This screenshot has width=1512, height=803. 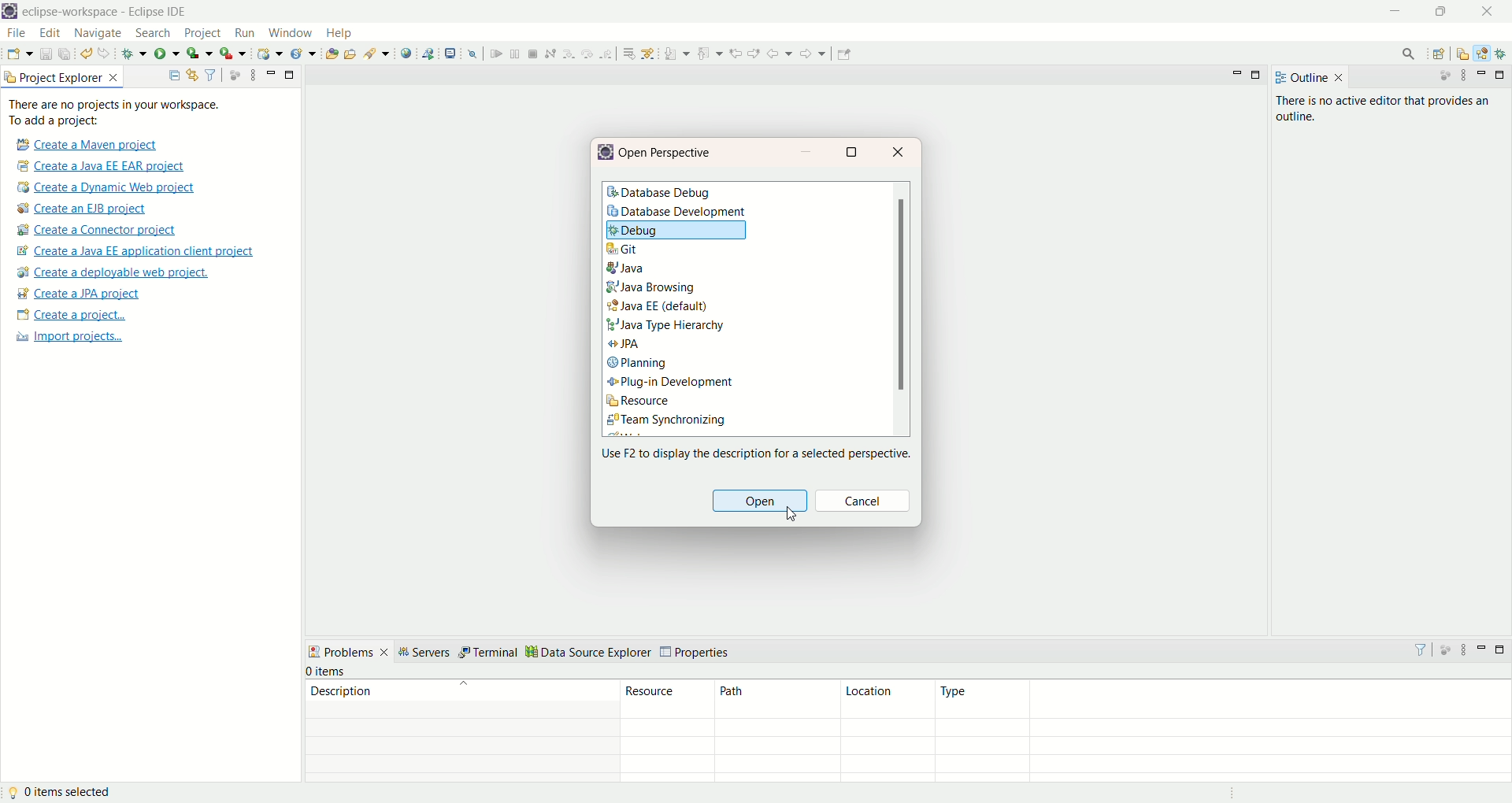 I want to click on filter, so click(x=1418, y=649).